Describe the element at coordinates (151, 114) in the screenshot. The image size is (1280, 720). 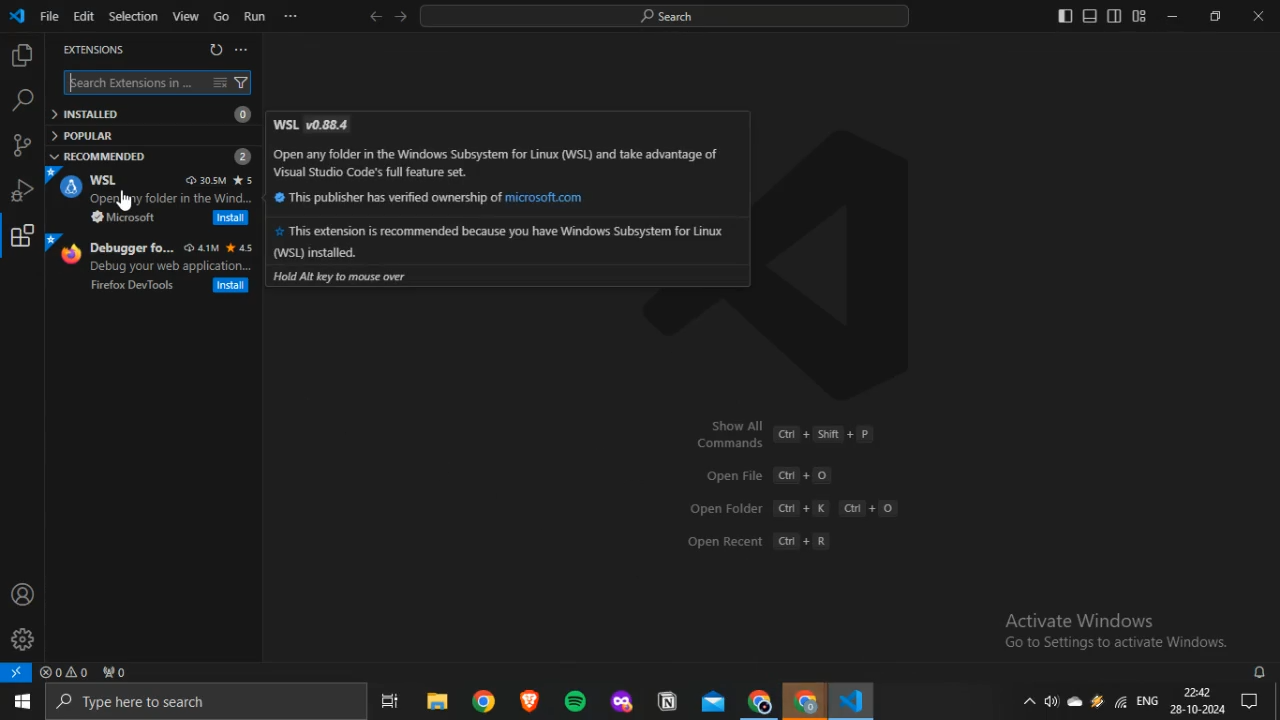
I see `INSTALLED` at that location.